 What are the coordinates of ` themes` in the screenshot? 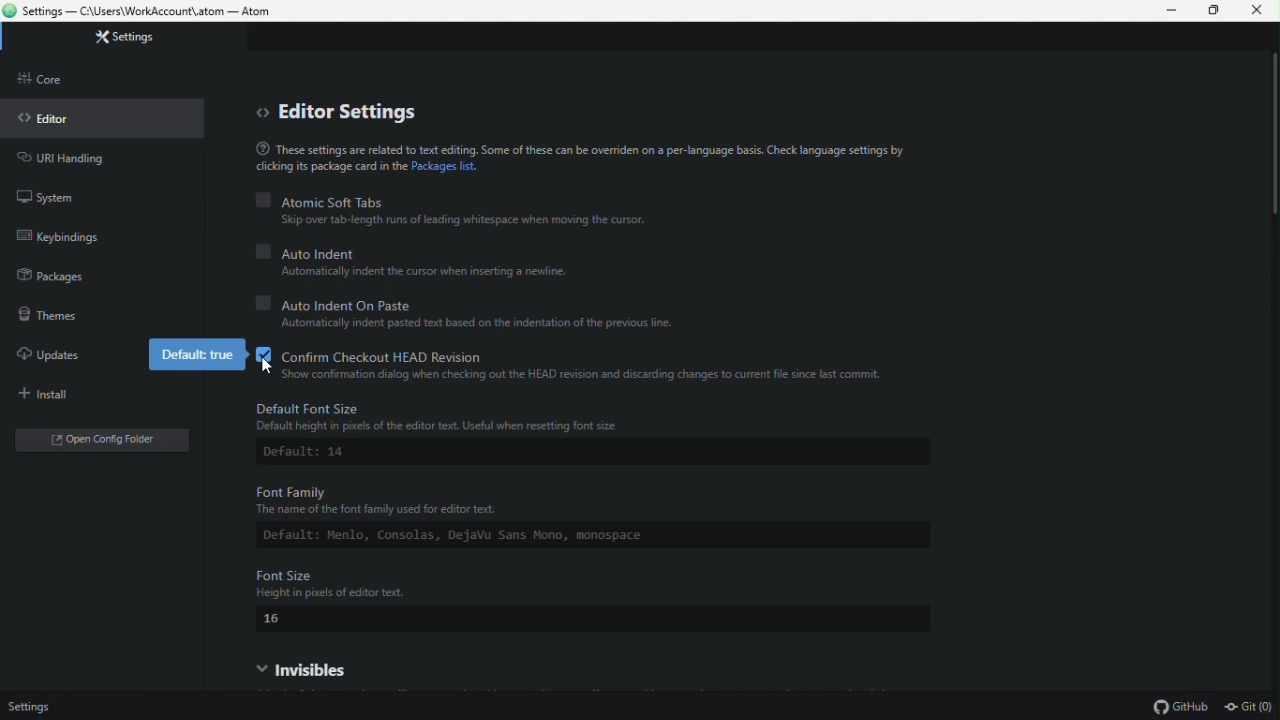 It's located at (55, 318).